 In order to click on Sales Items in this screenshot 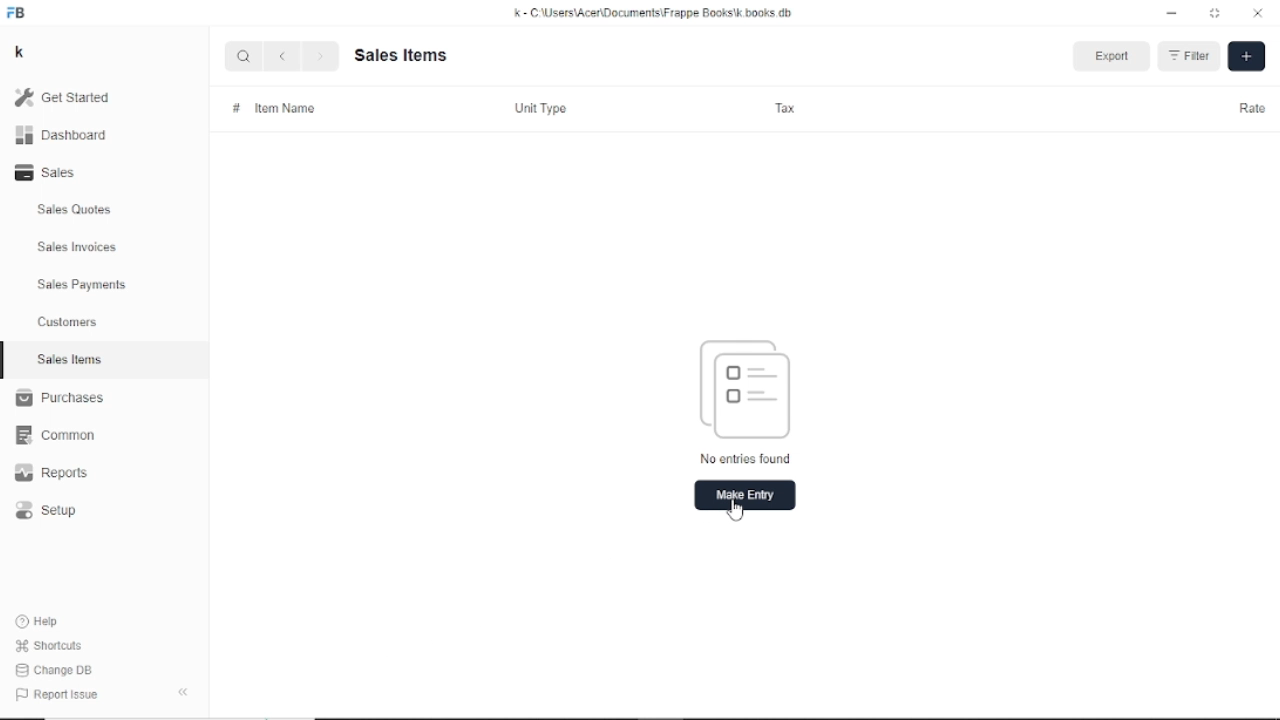, I will do `click(70, 359)`.